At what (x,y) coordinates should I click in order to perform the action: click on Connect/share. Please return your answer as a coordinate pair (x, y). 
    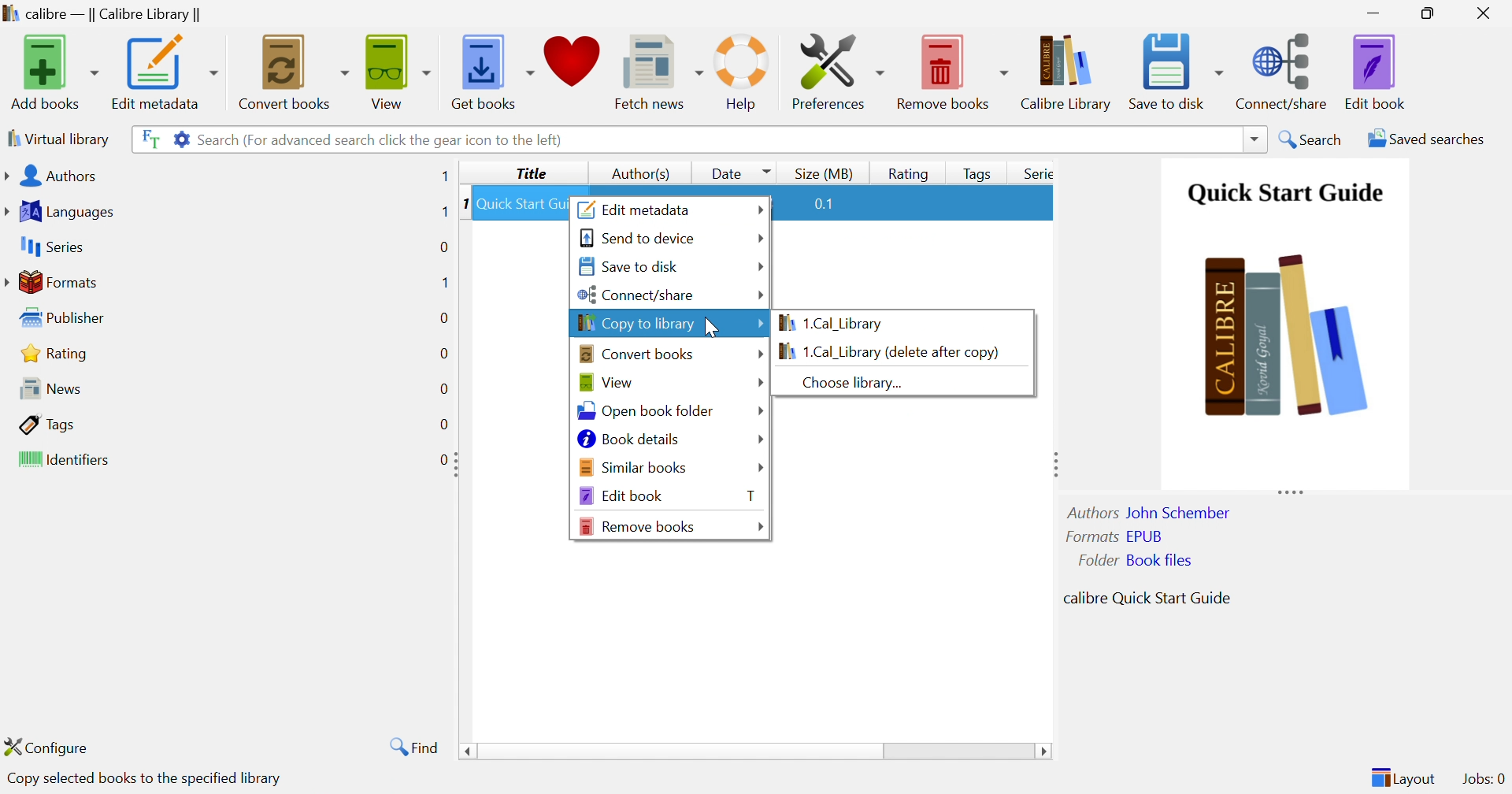
    Looking at the image, I should click on (1283, 72).